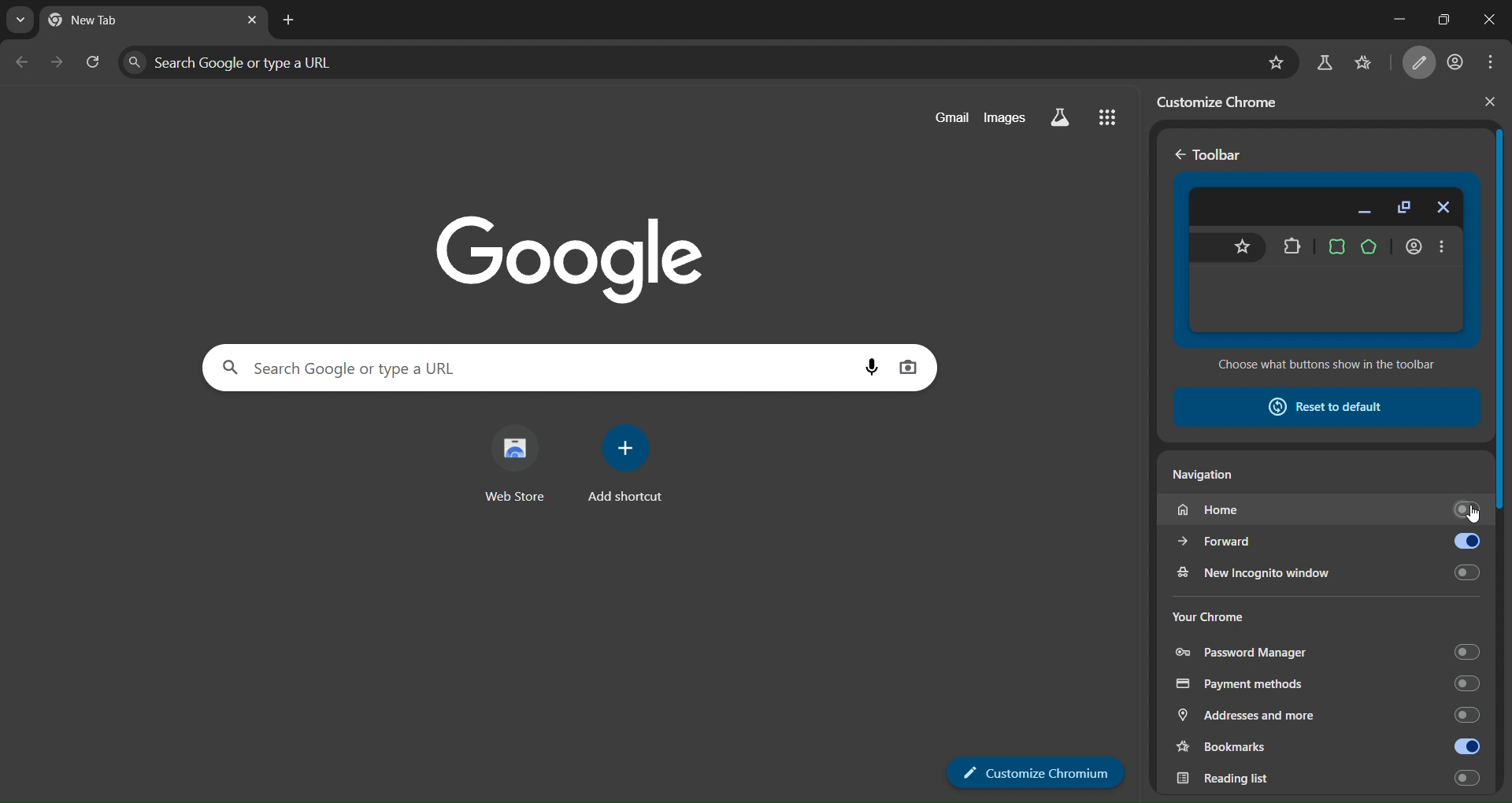 The image size is (1512, 803). I want to click on toolbar, so click(1328, 261).